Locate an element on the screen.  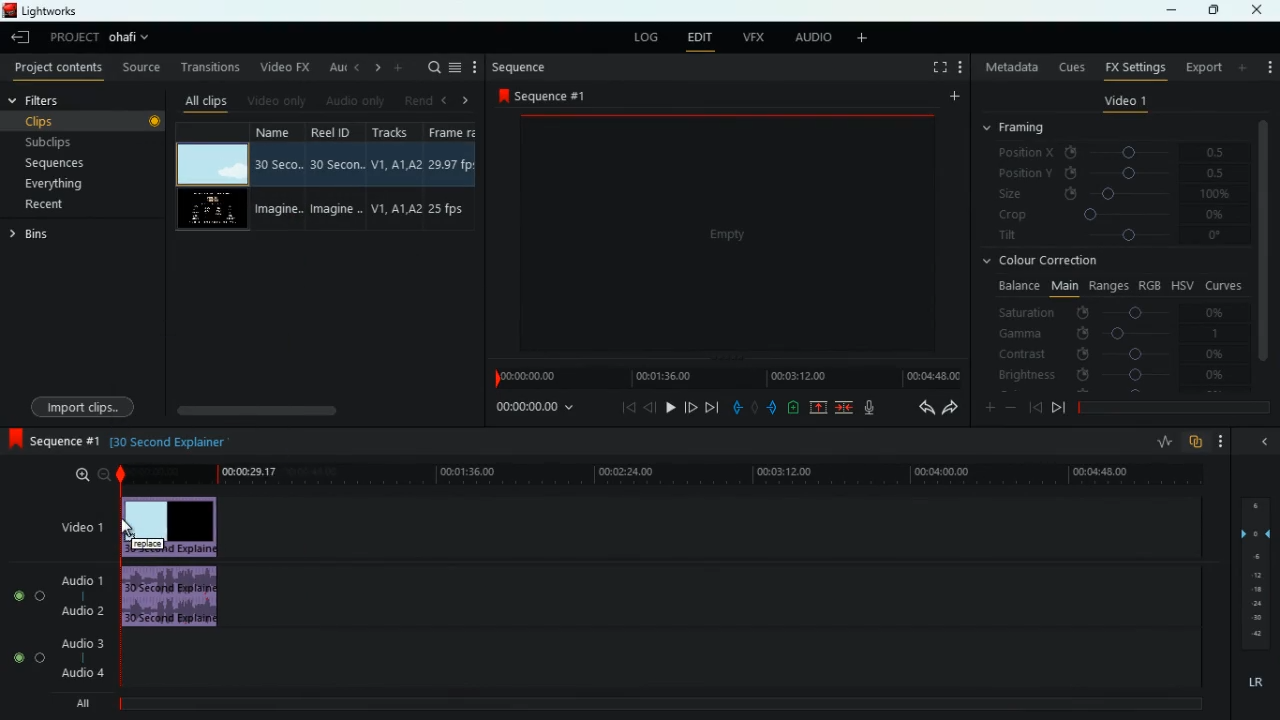
lr is located at coordinates (1253, 683).